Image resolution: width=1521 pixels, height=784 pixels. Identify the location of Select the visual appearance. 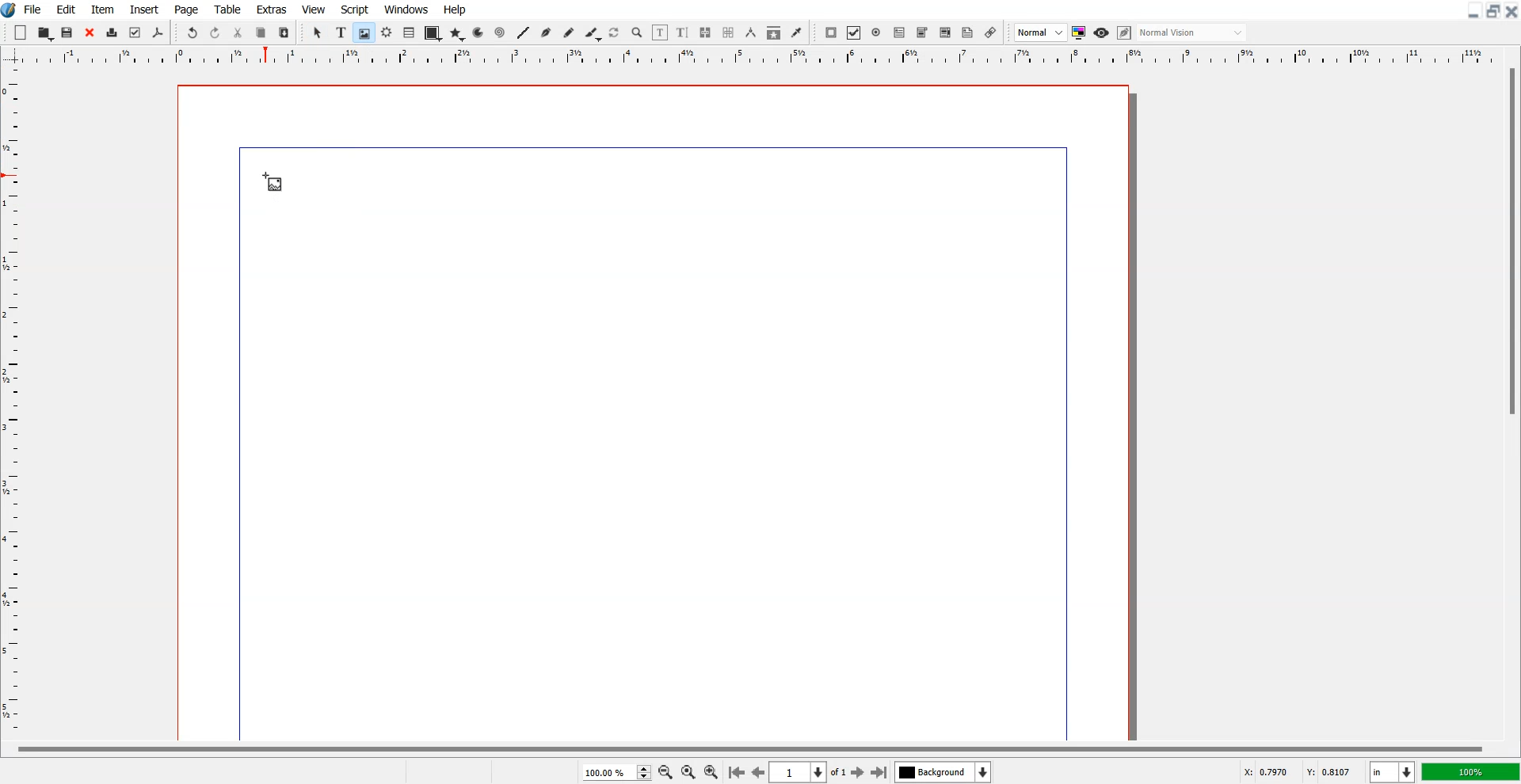
(1193, 33).